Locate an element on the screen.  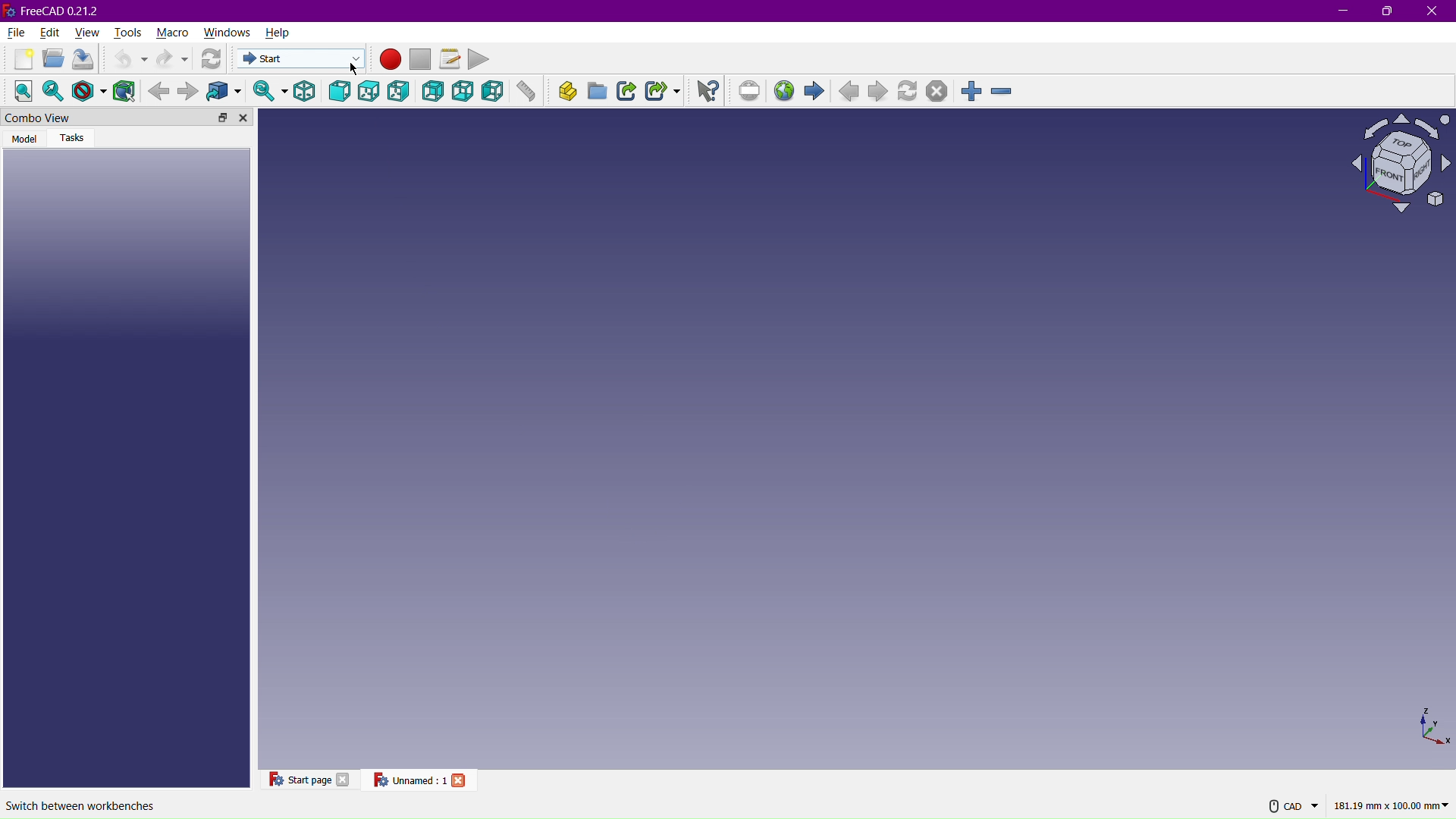
Minimize is located at coordinates (1343, 11).